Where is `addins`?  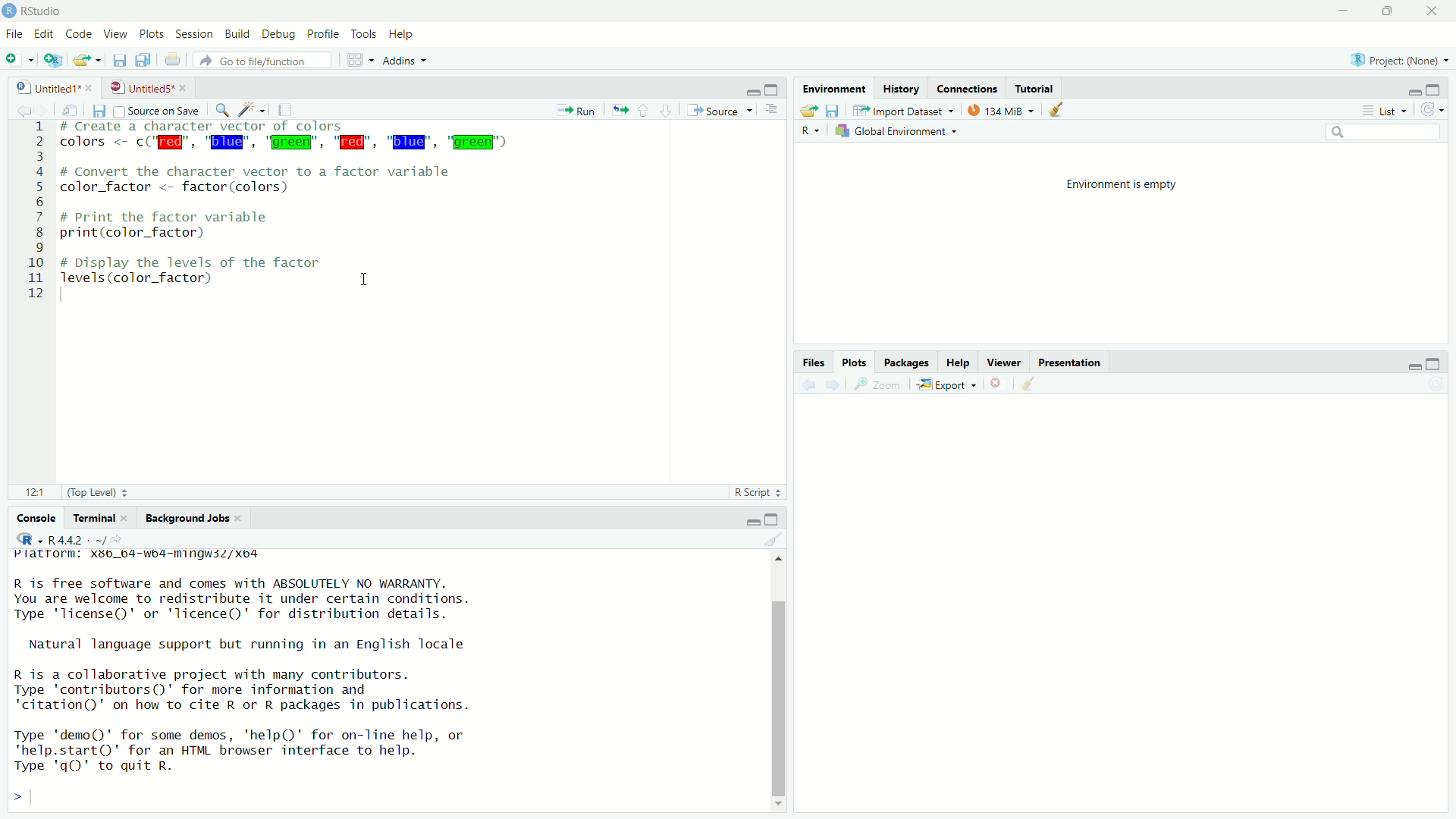 addins is located at coordinates (406, 61).